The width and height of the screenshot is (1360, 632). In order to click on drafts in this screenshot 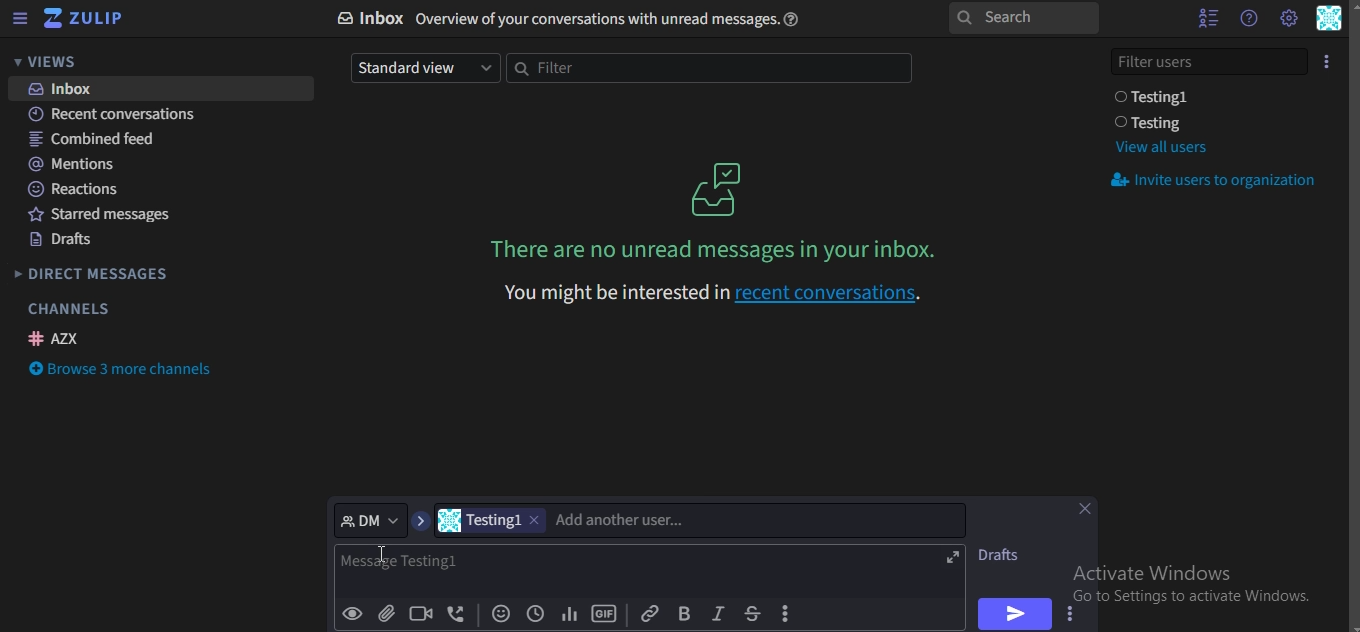, I will do `click(63, 242)`.